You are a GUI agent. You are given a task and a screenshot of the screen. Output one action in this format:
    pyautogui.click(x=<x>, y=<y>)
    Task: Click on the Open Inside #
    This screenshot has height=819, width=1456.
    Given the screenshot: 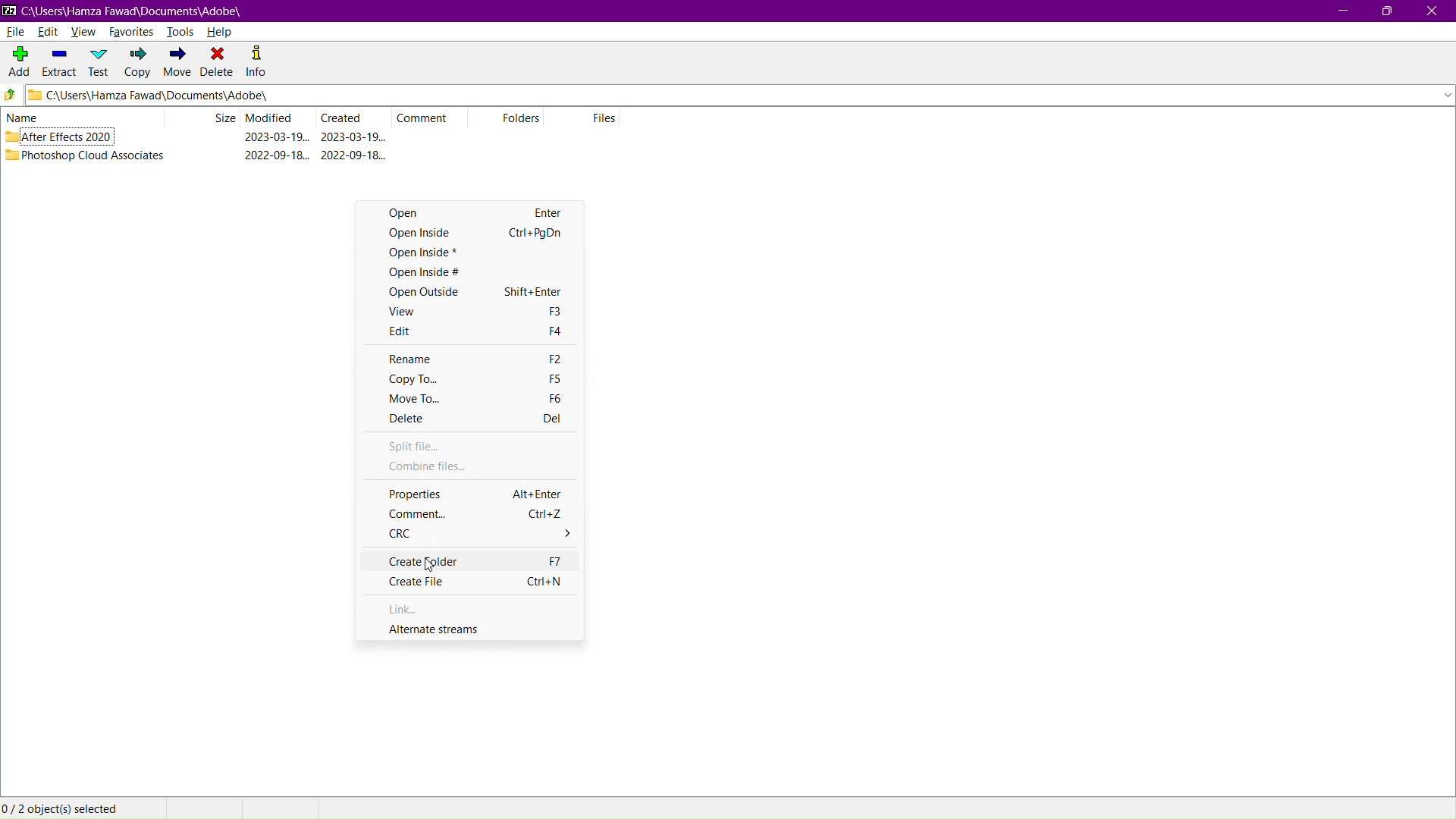 What is the action you would take?
    pyautogui.click(x=471, y=272)
    